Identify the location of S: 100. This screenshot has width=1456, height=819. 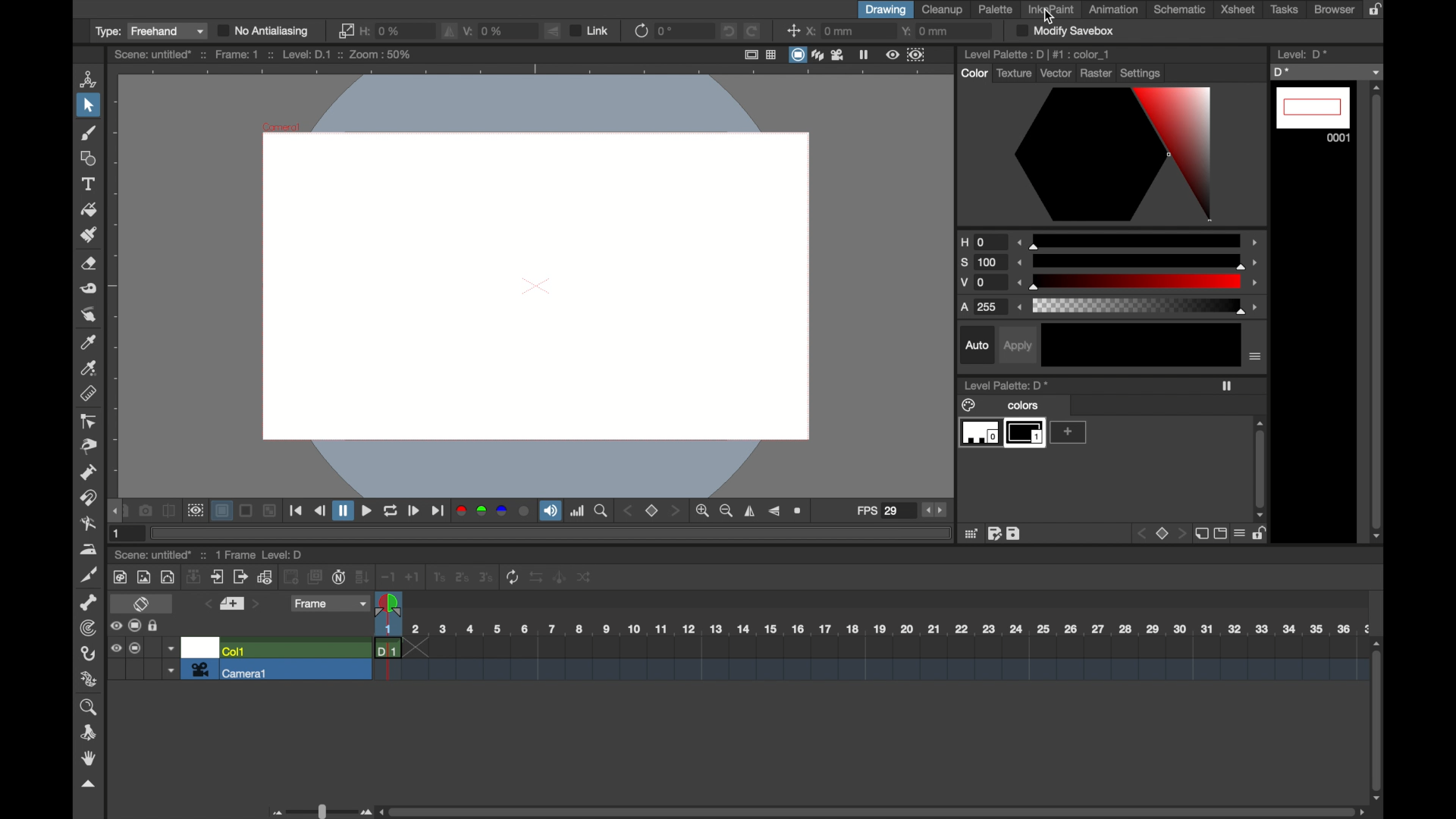
(983, 262).